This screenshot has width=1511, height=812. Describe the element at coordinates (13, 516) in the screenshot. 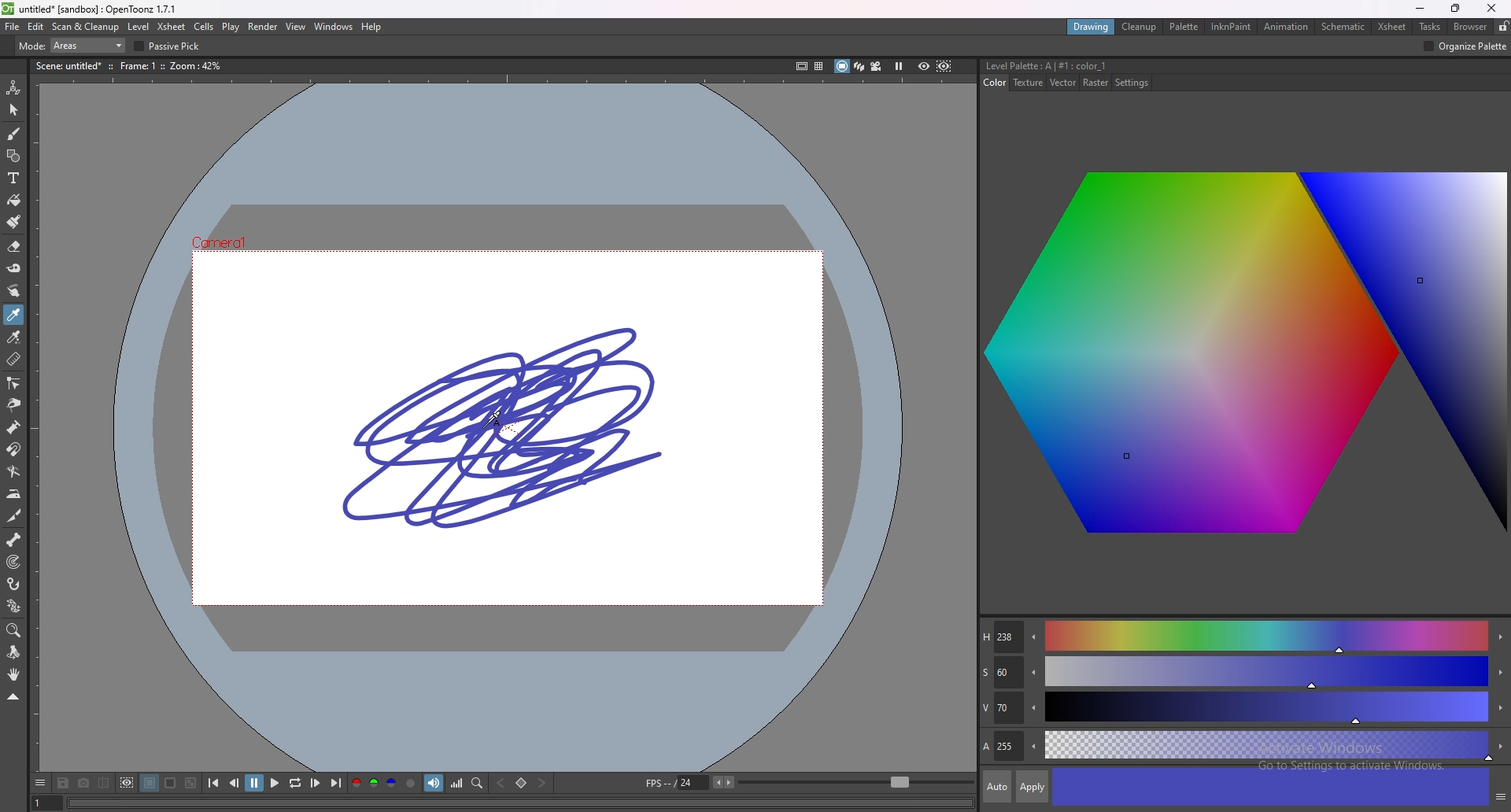

I see `cutter tool` at that location.